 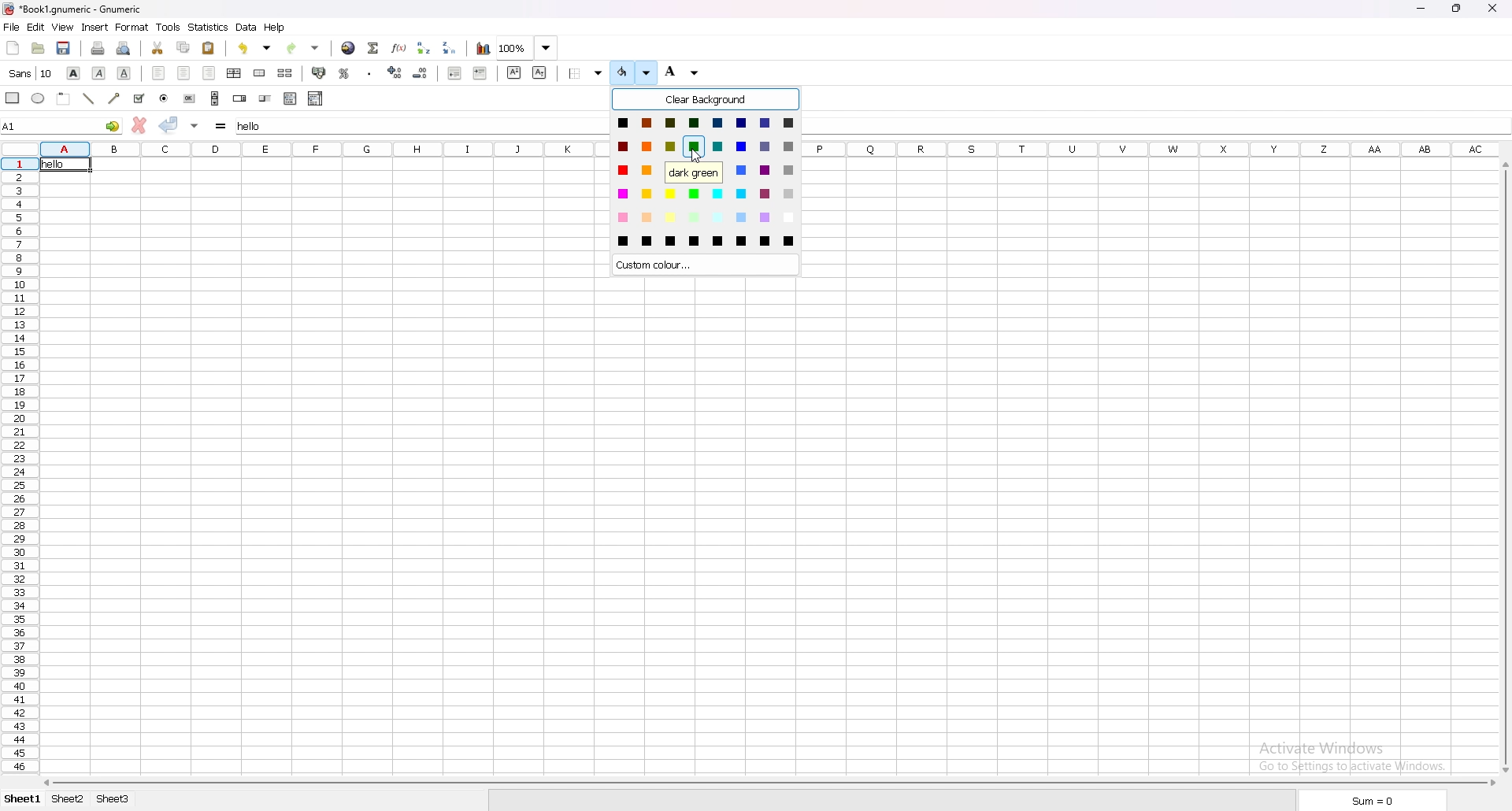 I want to click on merge cells, so click(x=260, y=73).